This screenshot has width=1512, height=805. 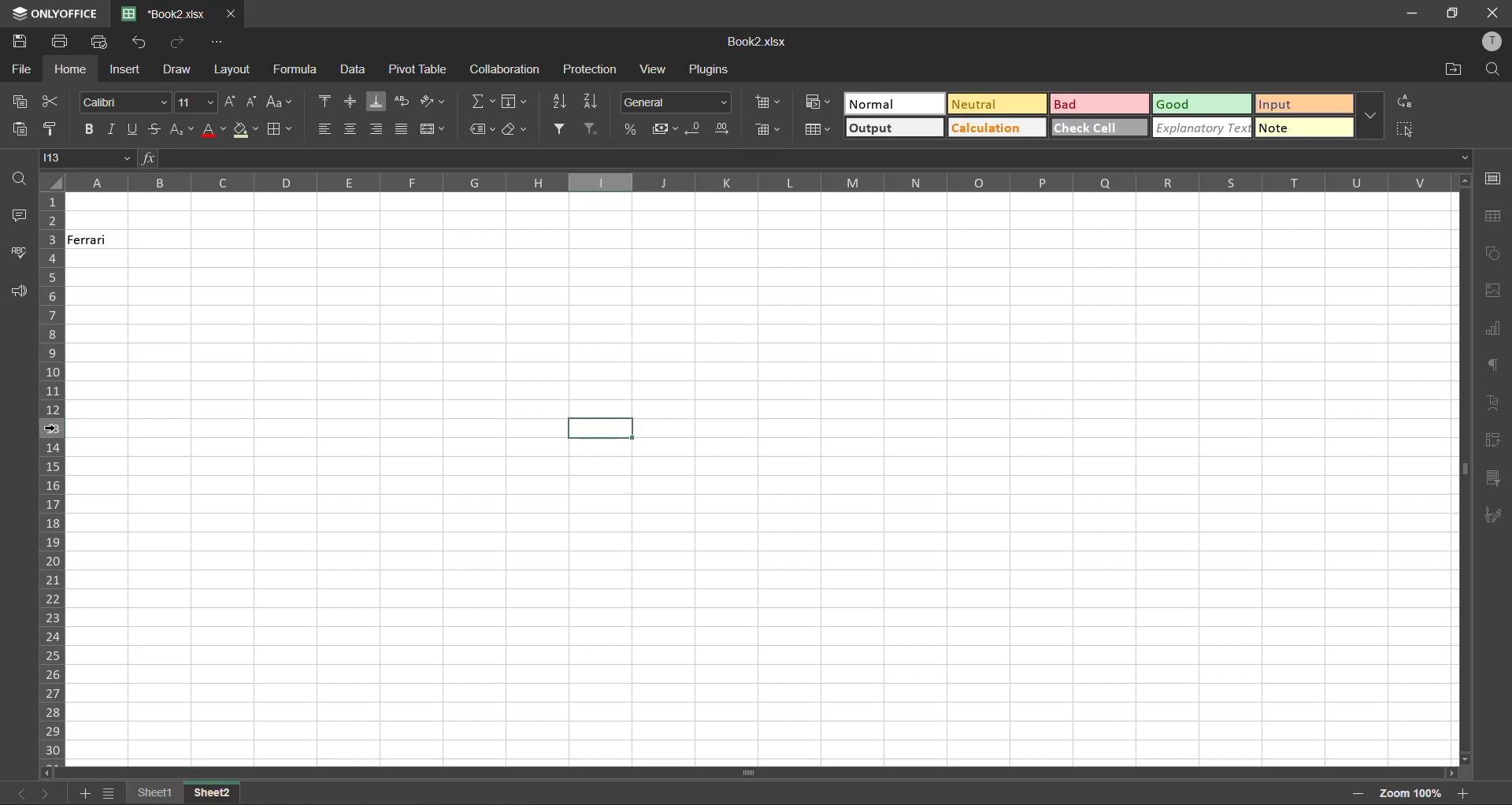 I want to click on print, so click(x=61, y=41).